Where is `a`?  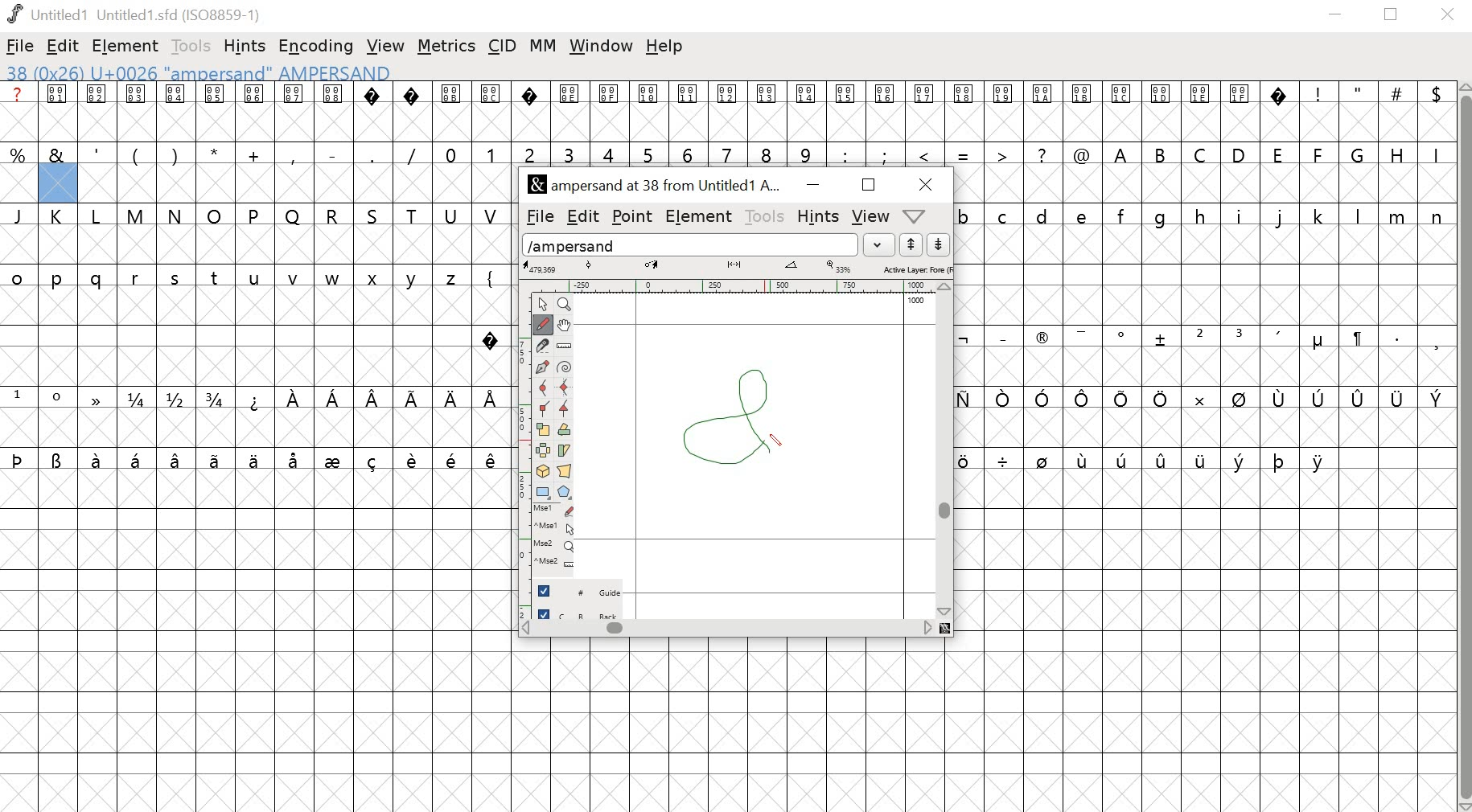 a is located at coordinates (19, 112).